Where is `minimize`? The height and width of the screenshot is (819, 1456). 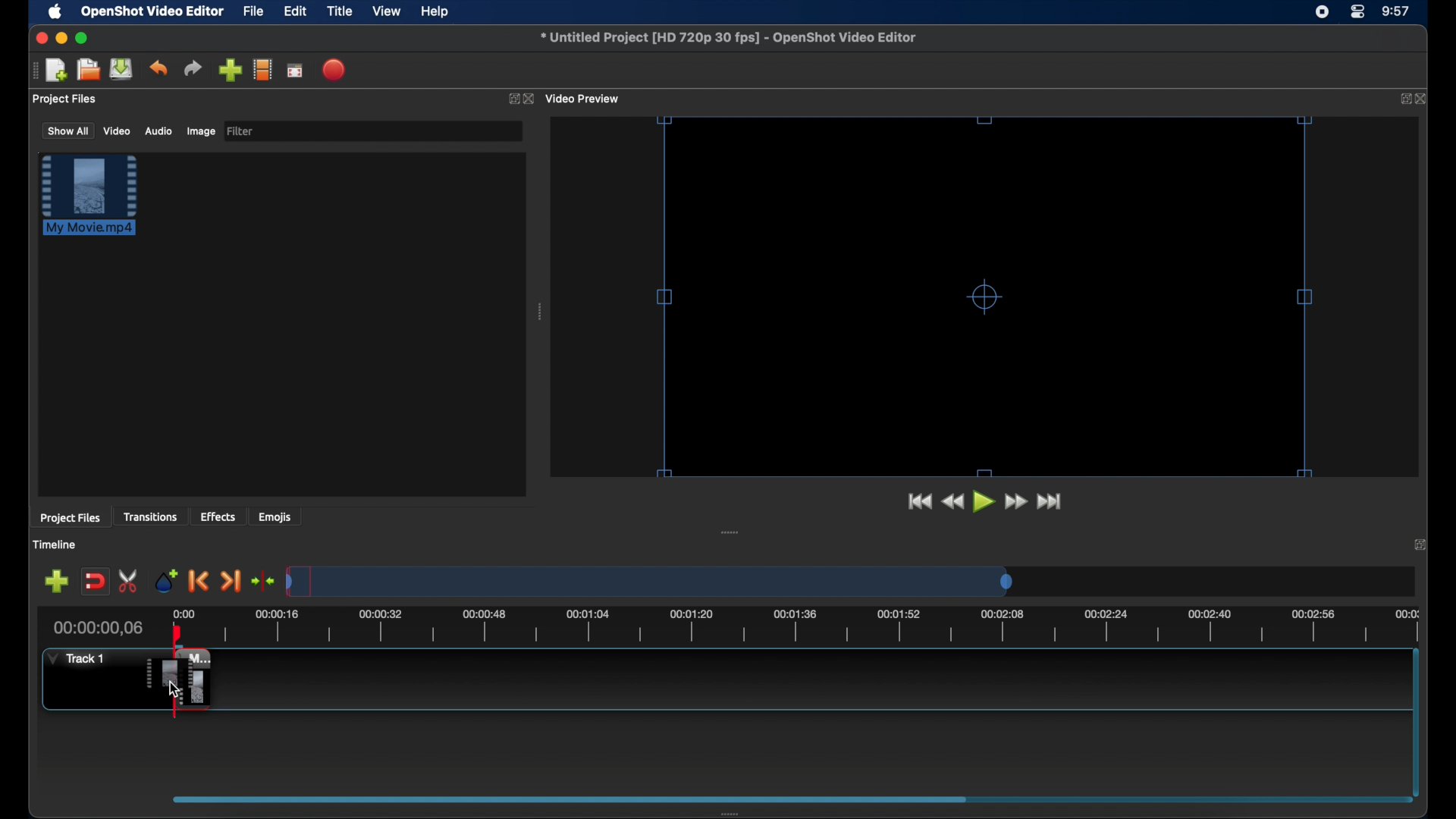 minimize is located at coordinates (61, 38).